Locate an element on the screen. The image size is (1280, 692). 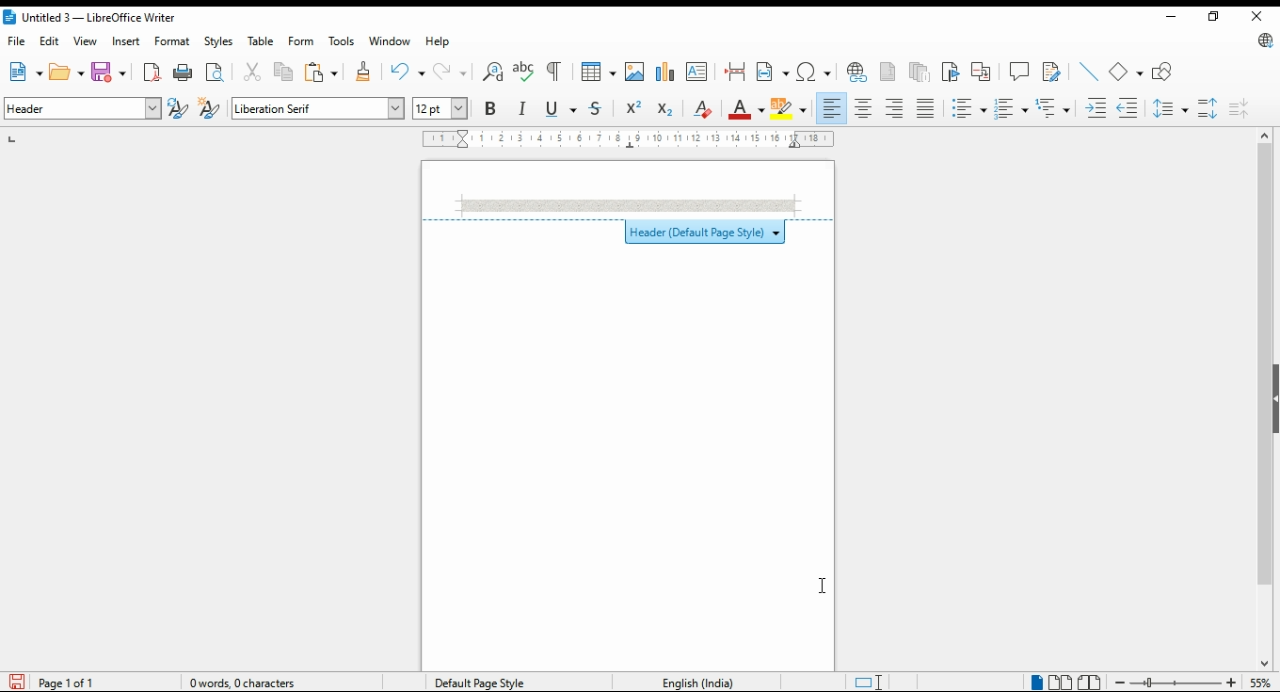
subscript is located at coordinates (665, 110).